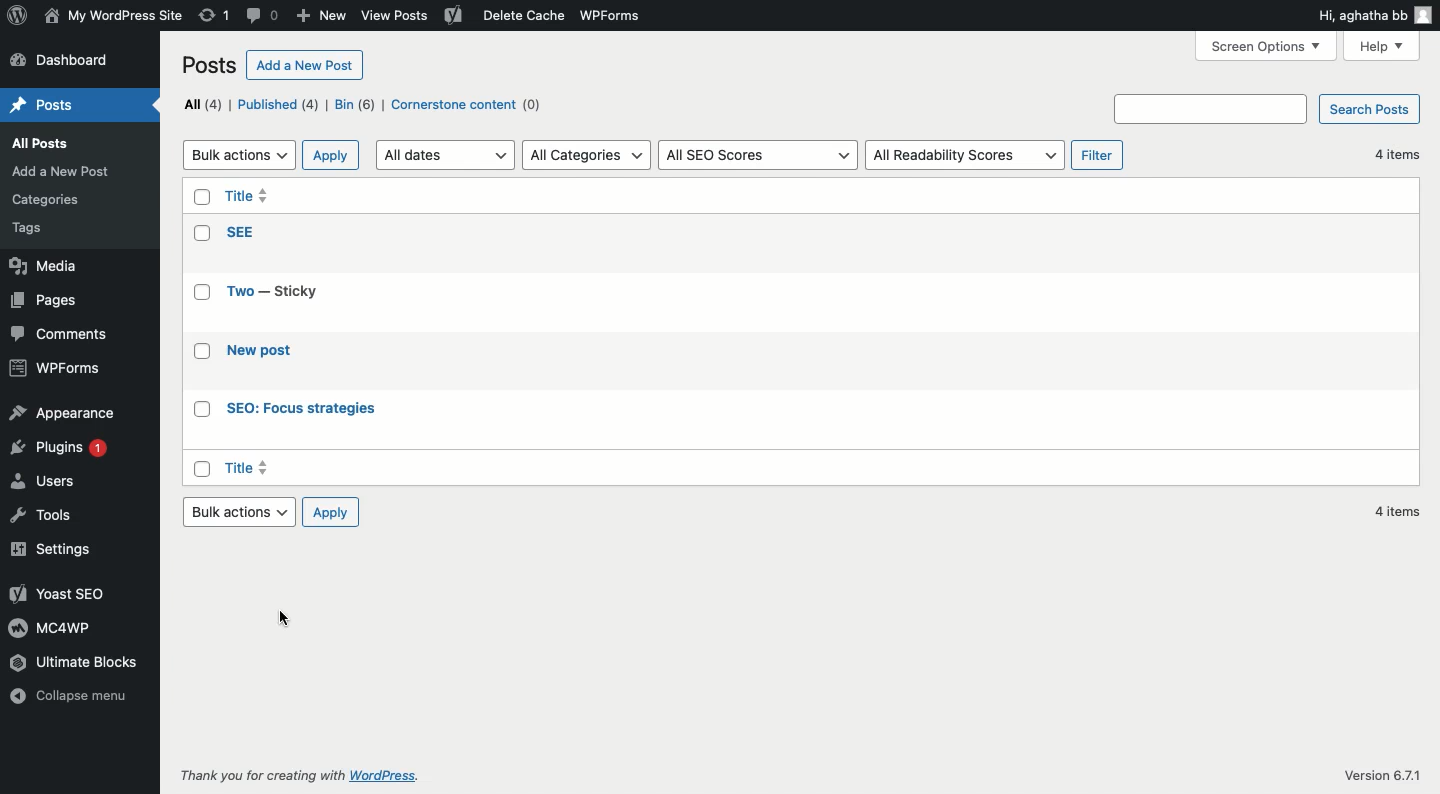  What do you see at coordinates (282, 106) in the screenshot?
I see `Published` at bounding box center [282, 106].